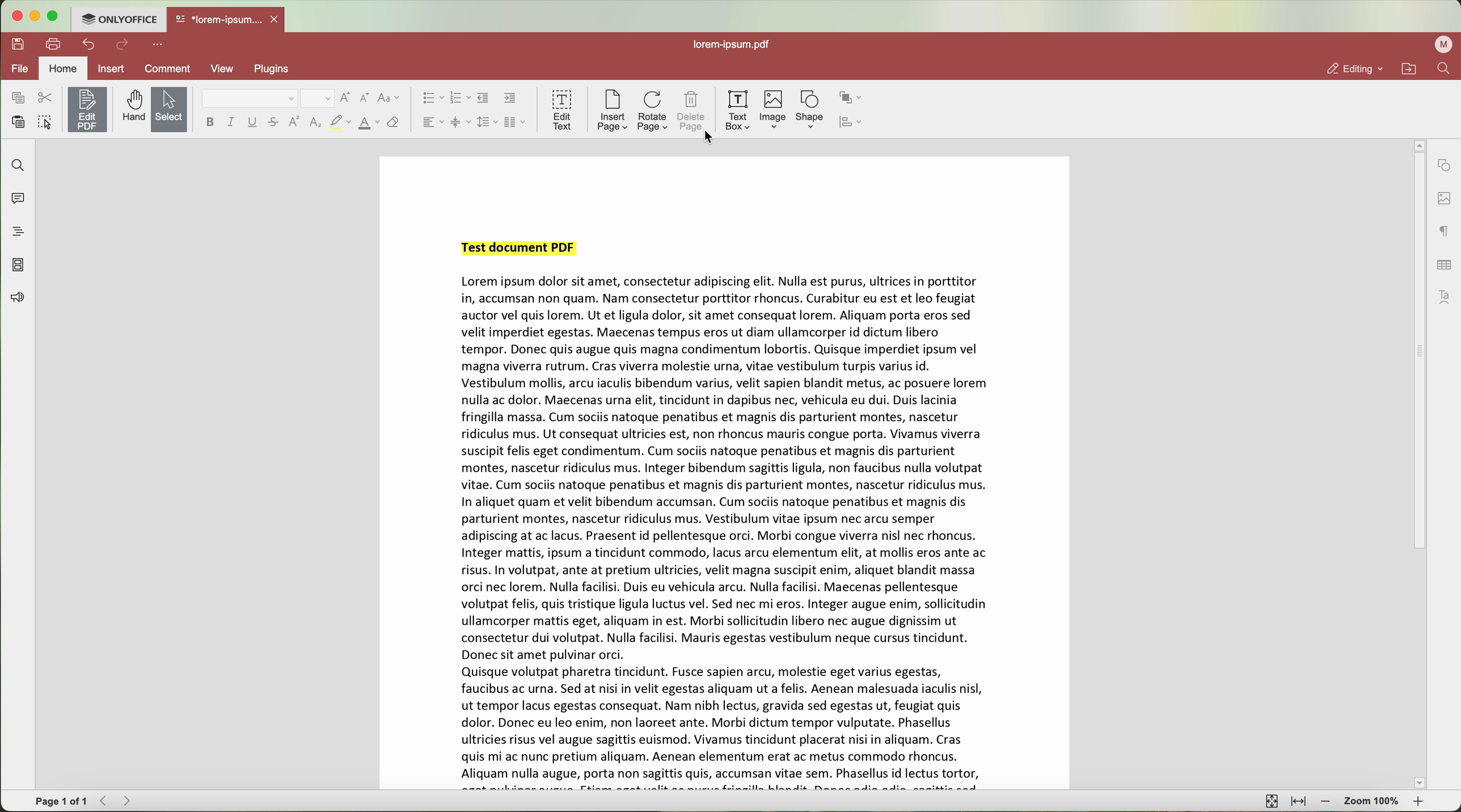 This screenshot has width=1461, height=812. What do you see at coordinates (118, 19) in the screenshot?
I see `ONLYOFFICE` at bounding box center [118, 19].